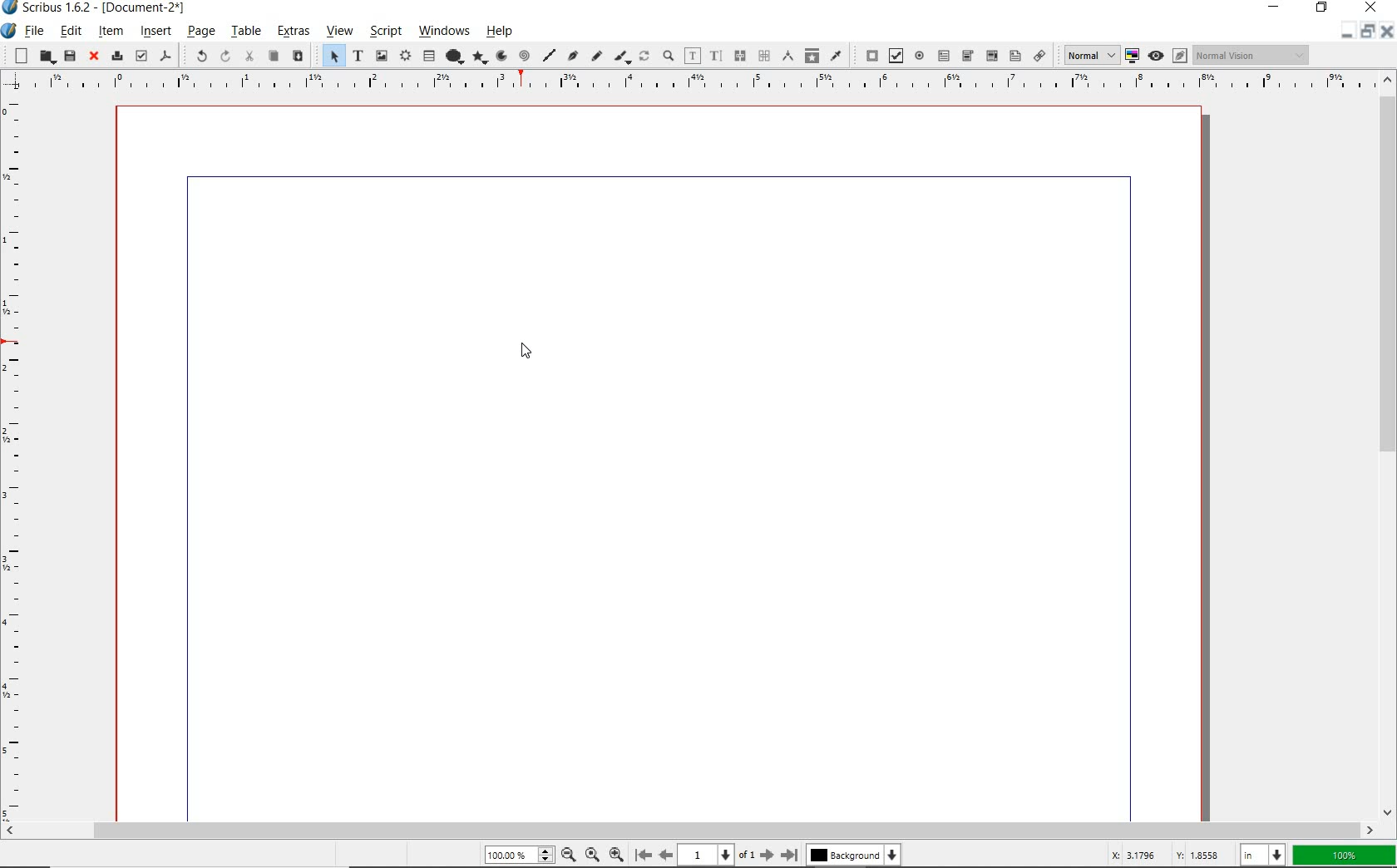 The height and width of the screenshot is (868, 1397). I want to click on undo, so click(195, 56).